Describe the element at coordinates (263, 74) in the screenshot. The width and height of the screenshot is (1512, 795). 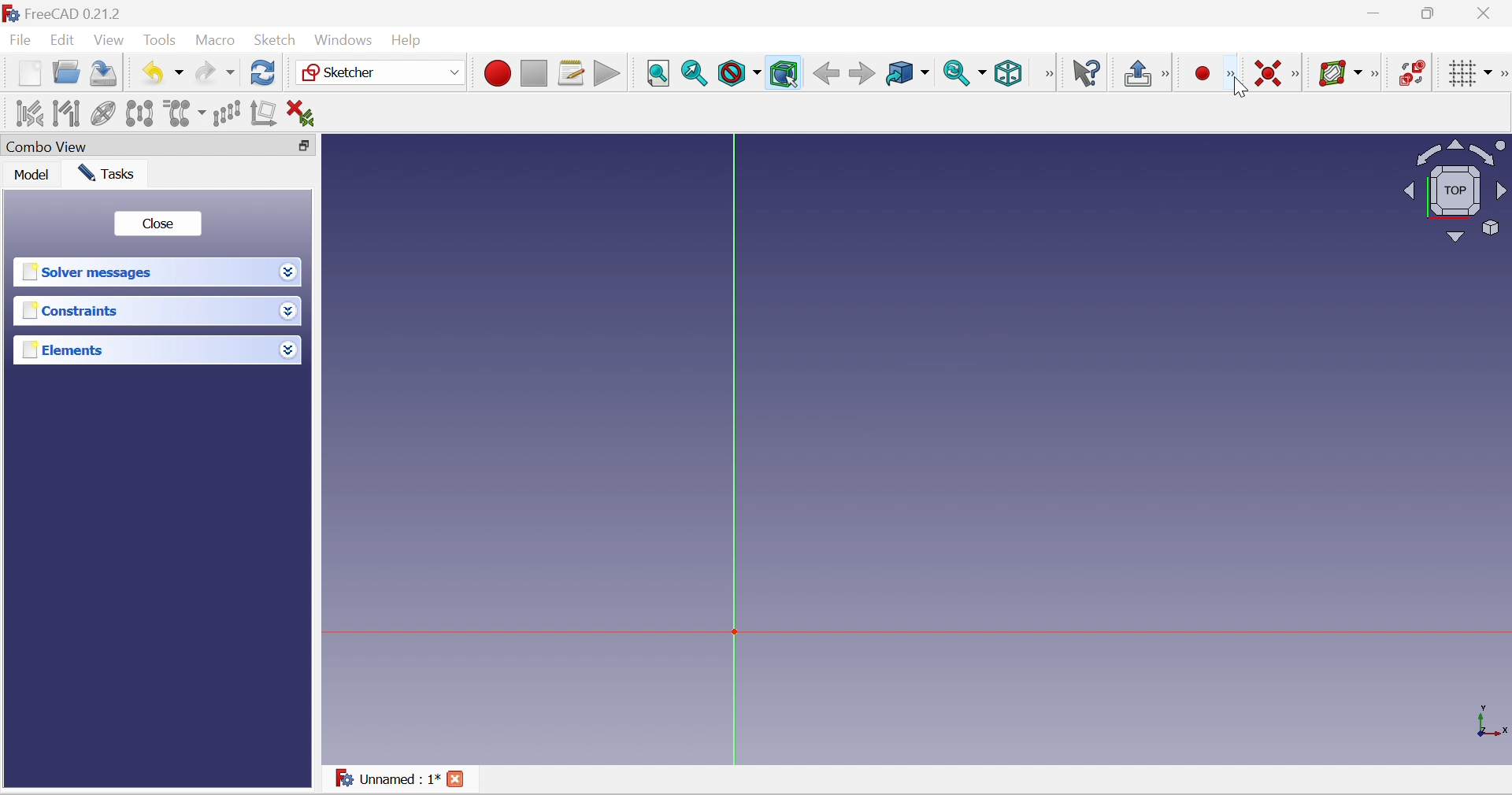
I see `Refresh` at that location.